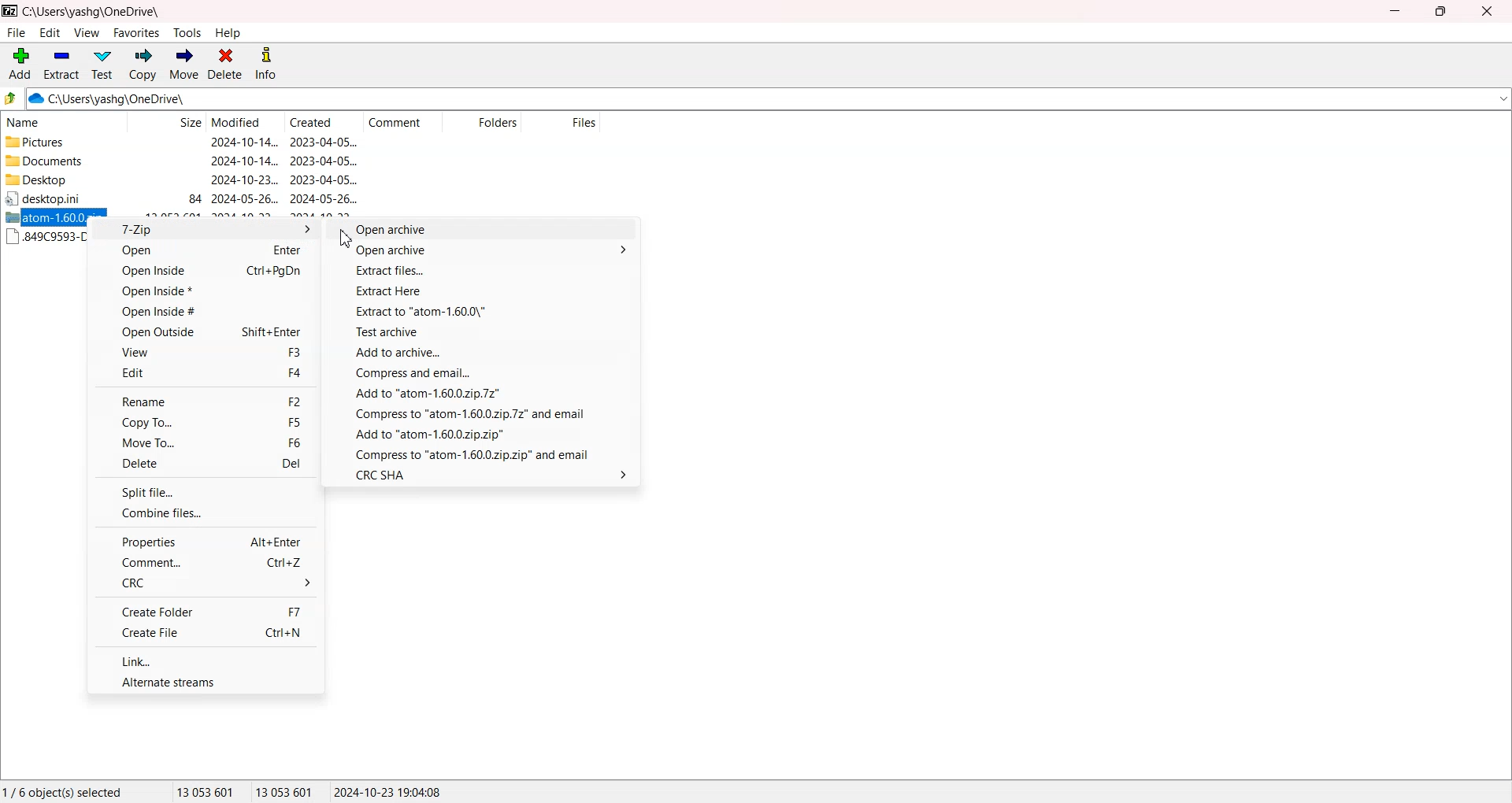 This screenshot has height=803, width=1512. I want to click on Desktop File, so click(58, 198).